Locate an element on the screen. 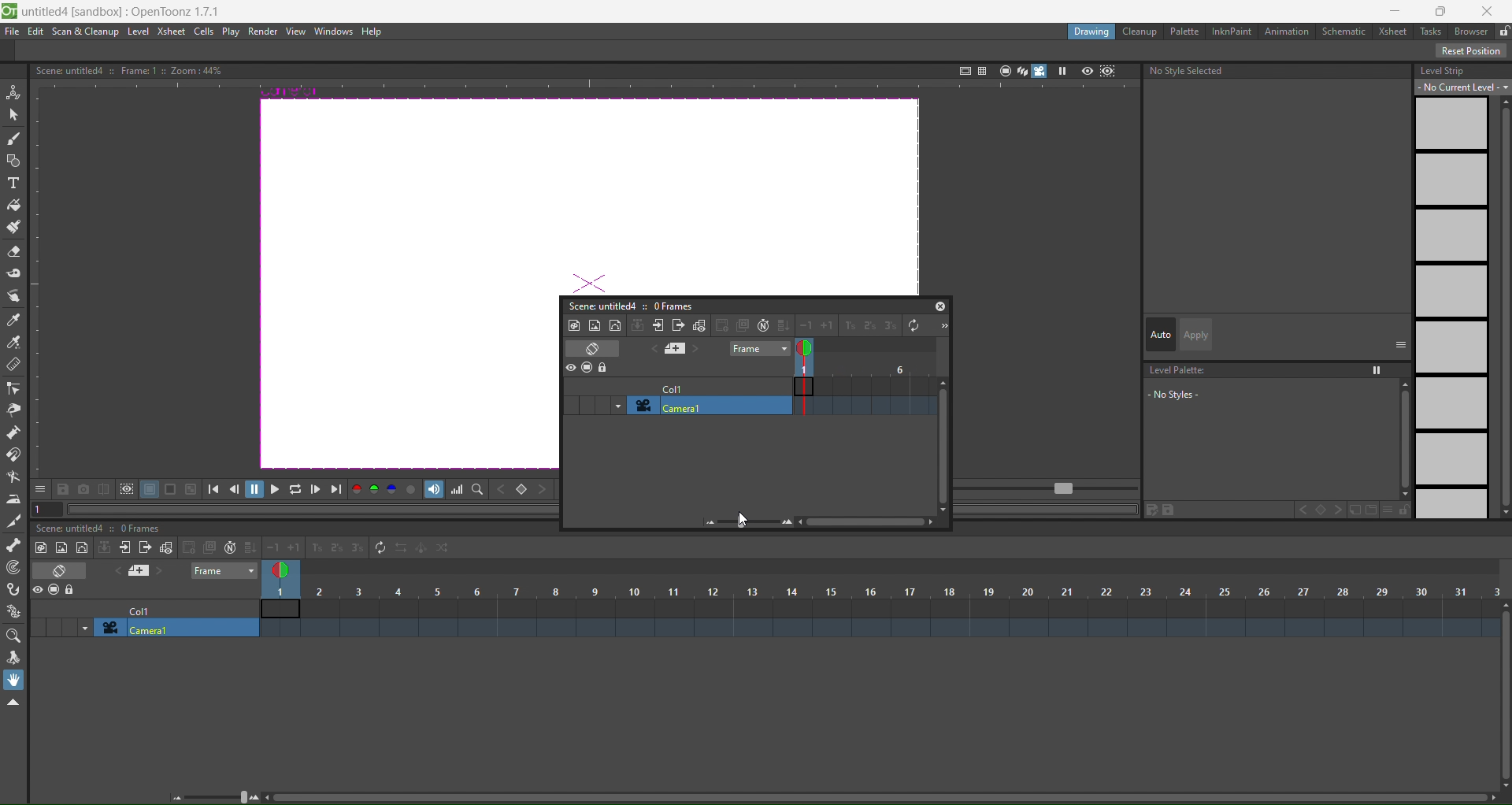   is located at coordinates (676, 350).